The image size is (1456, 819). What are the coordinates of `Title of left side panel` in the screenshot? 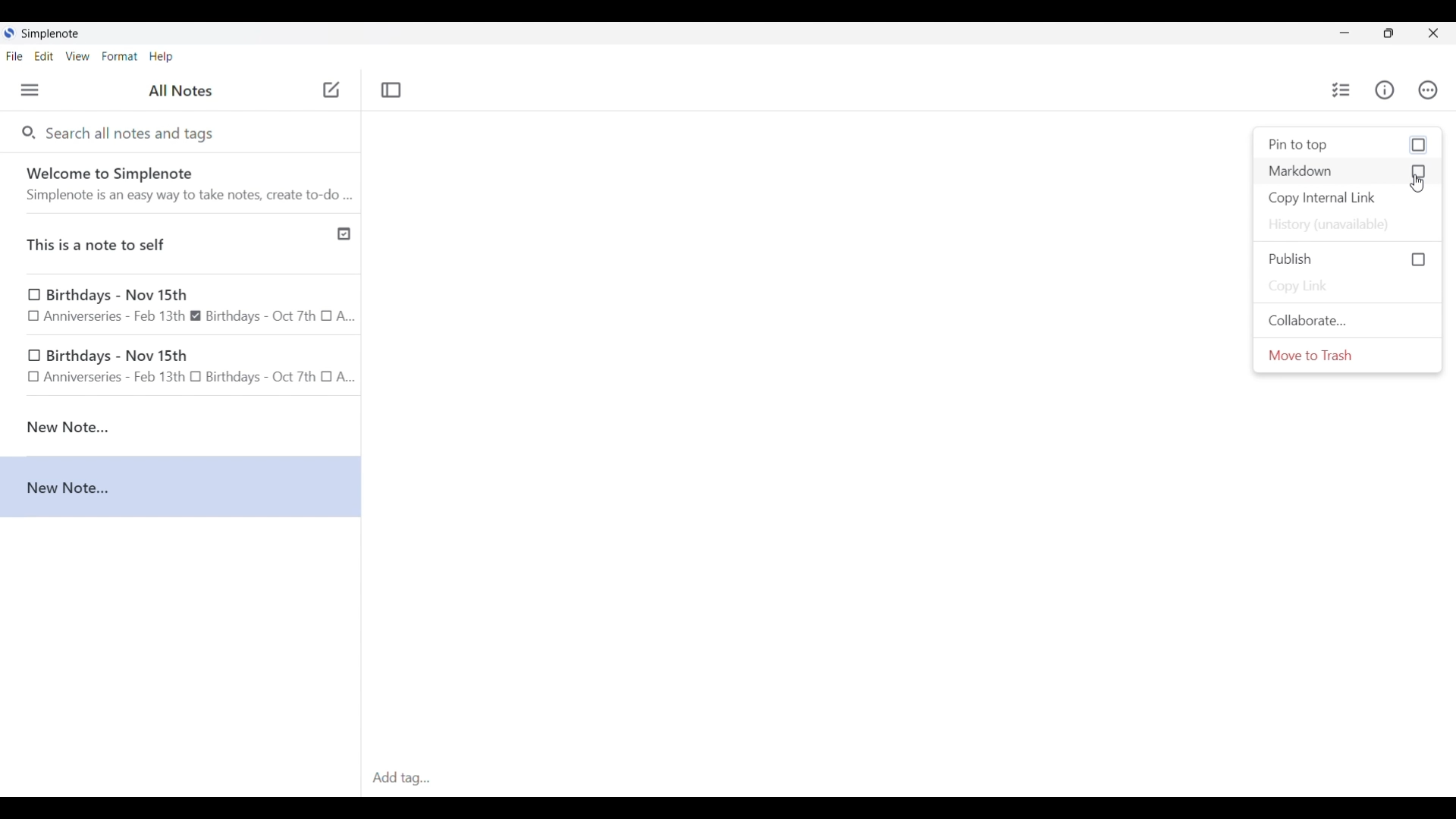 It's located at (180, 91).